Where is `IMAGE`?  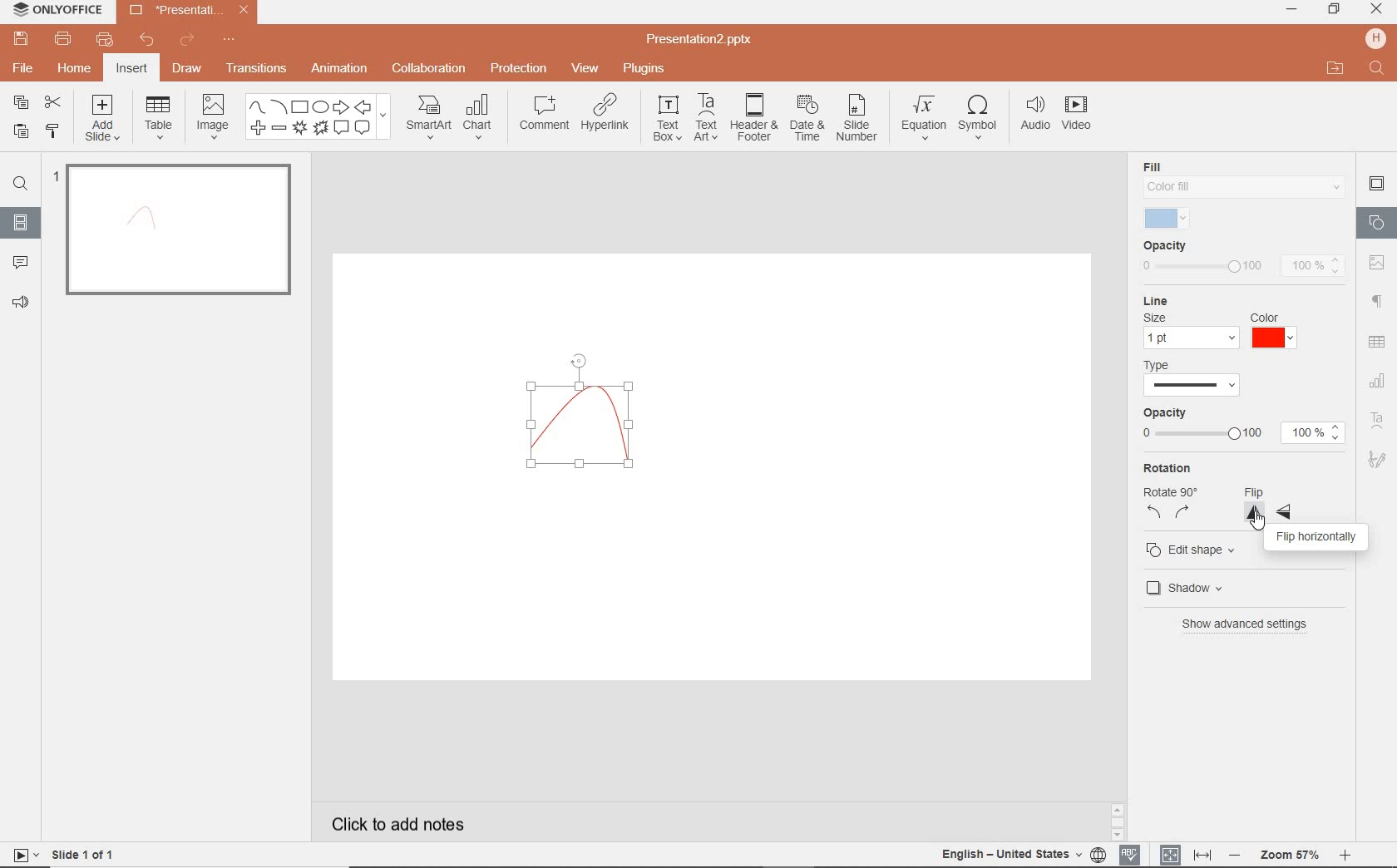 IMAGE is located at coordinates (213, 115).